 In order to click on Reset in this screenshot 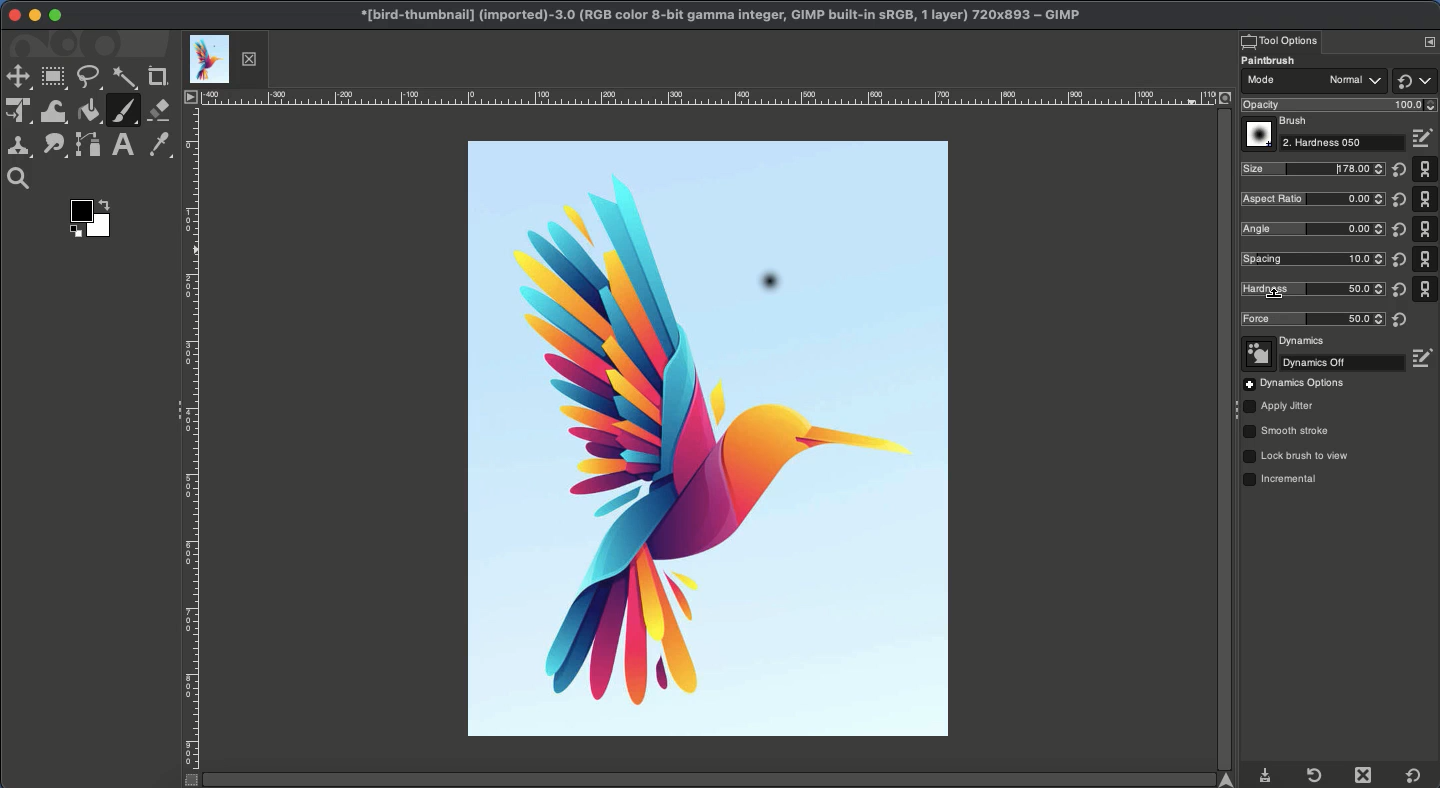, I will do `click(1397, 245)`.